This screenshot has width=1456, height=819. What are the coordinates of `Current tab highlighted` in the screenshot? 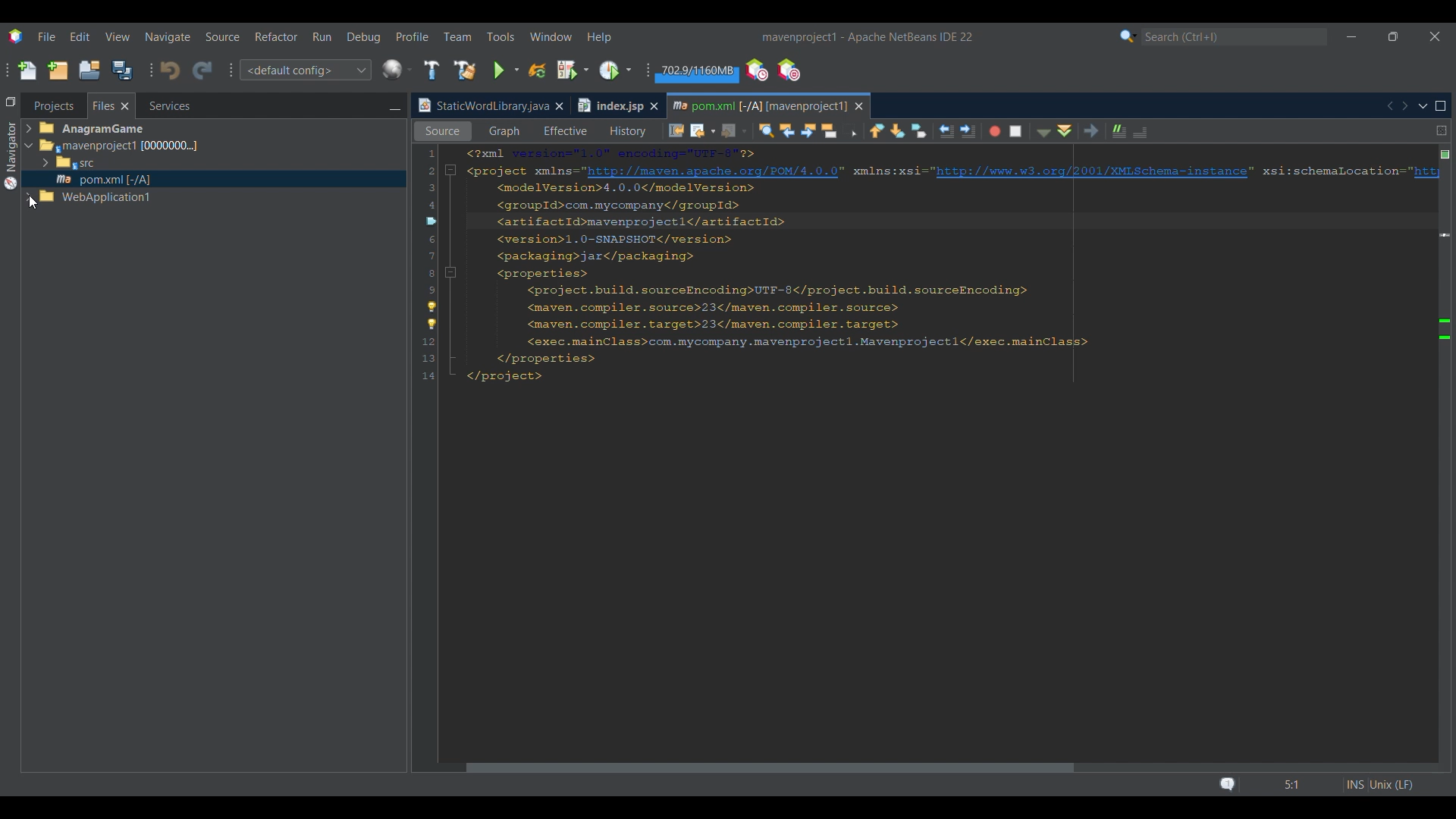 It's located at (758, 104).